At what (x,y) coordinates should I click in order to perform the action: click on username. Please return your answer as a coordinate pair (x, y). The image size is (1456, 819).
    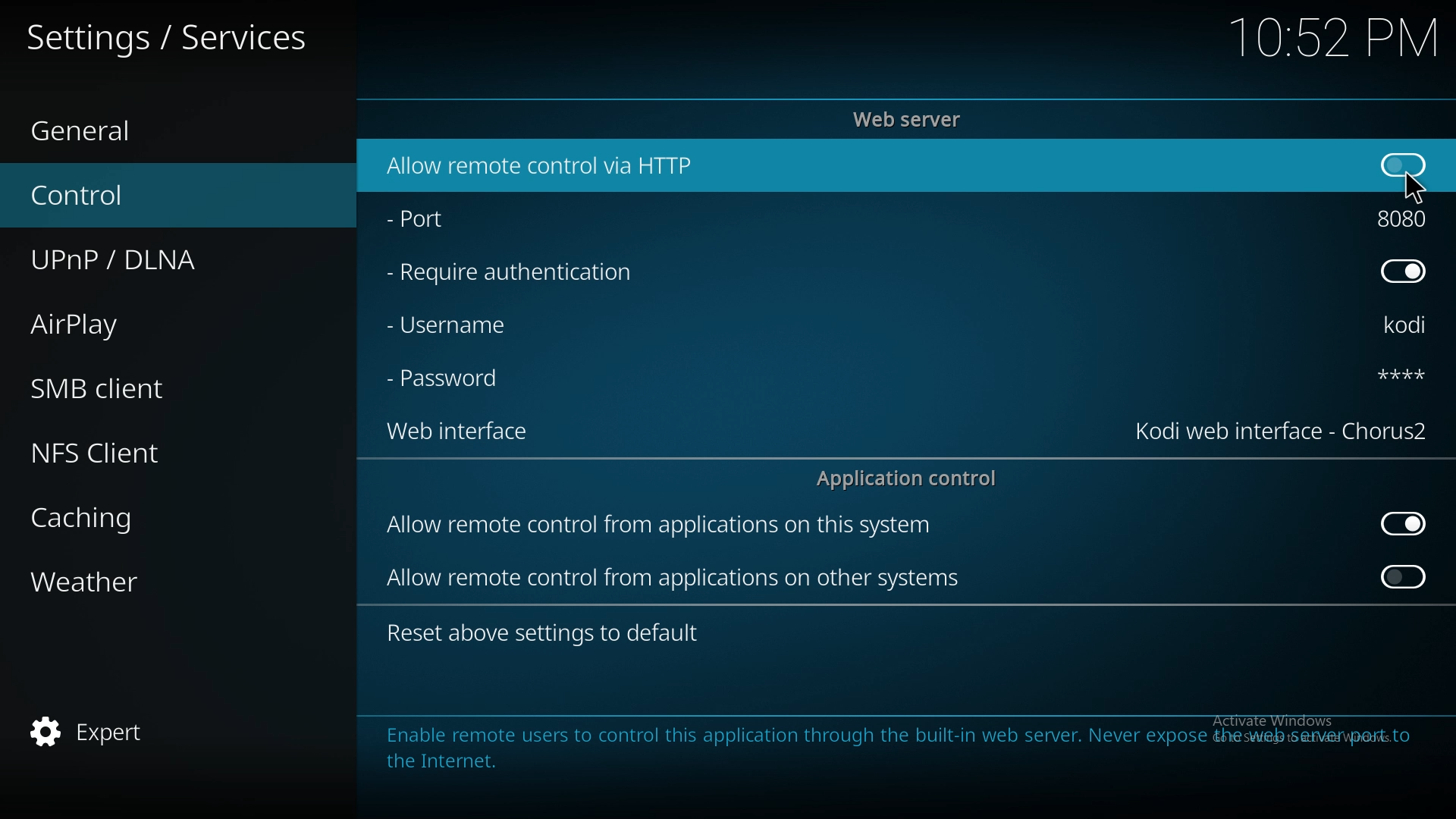
    Looking at the image, I should click on (1395, 326).